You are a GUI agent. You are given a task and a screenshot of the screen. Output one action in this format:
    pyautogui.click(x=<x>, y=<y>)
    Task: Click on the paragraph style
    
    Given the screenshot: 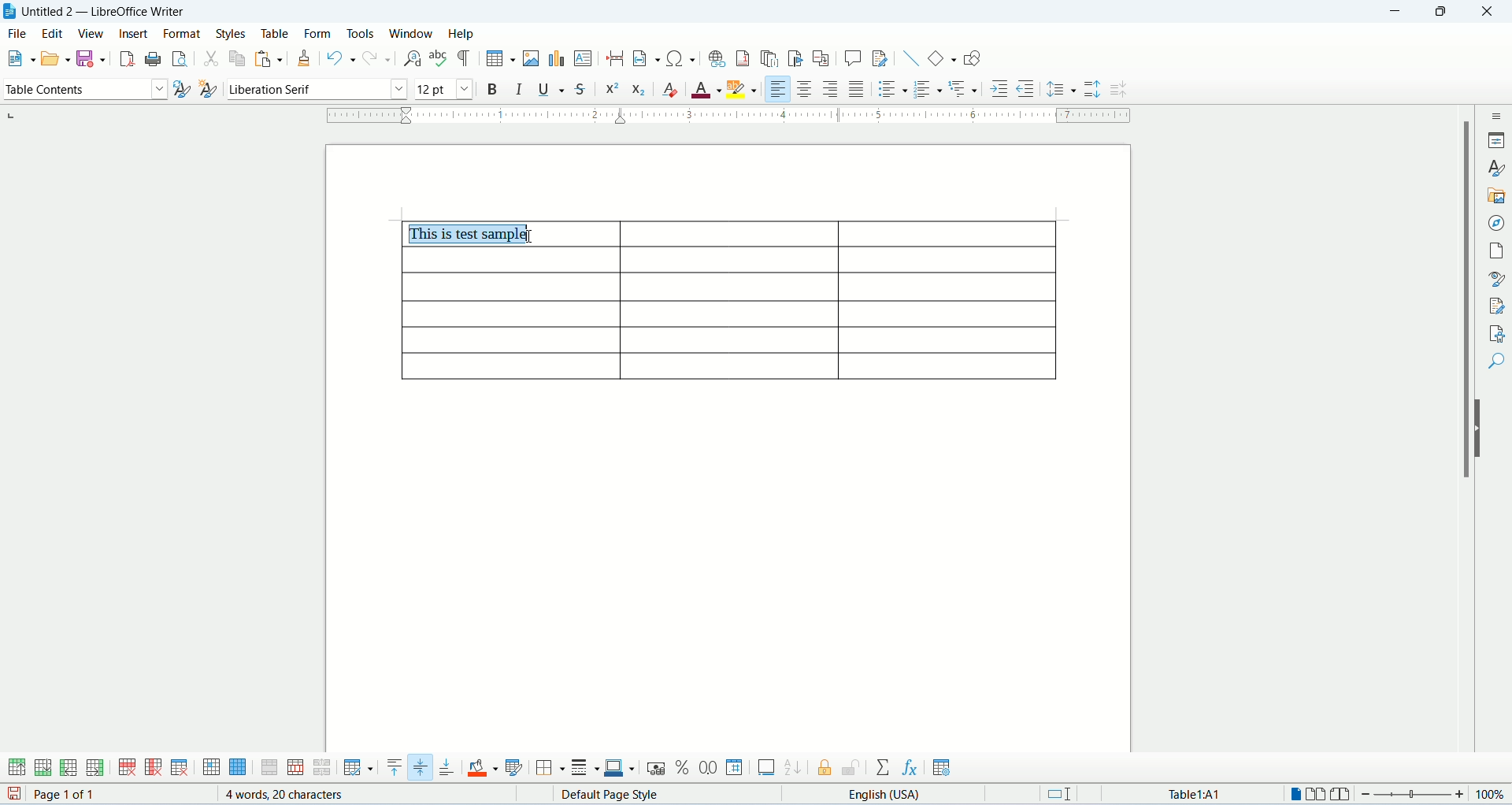 What is the action you would take?
    pyautogui.click(x=83, y=90)
    